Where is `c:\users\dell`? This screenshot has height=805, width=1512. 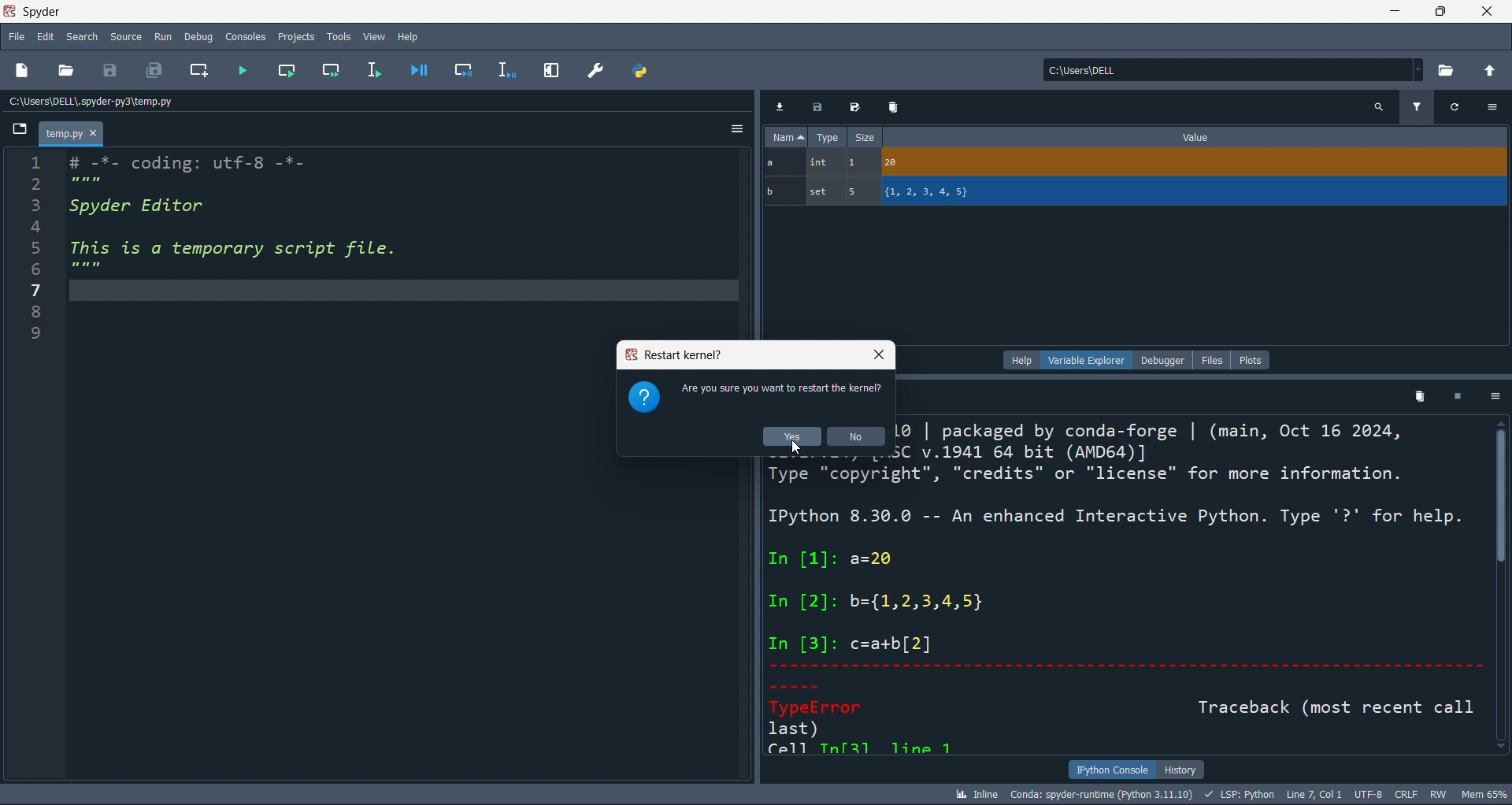
c:\users\dell is located at coordinates (1233, 67).